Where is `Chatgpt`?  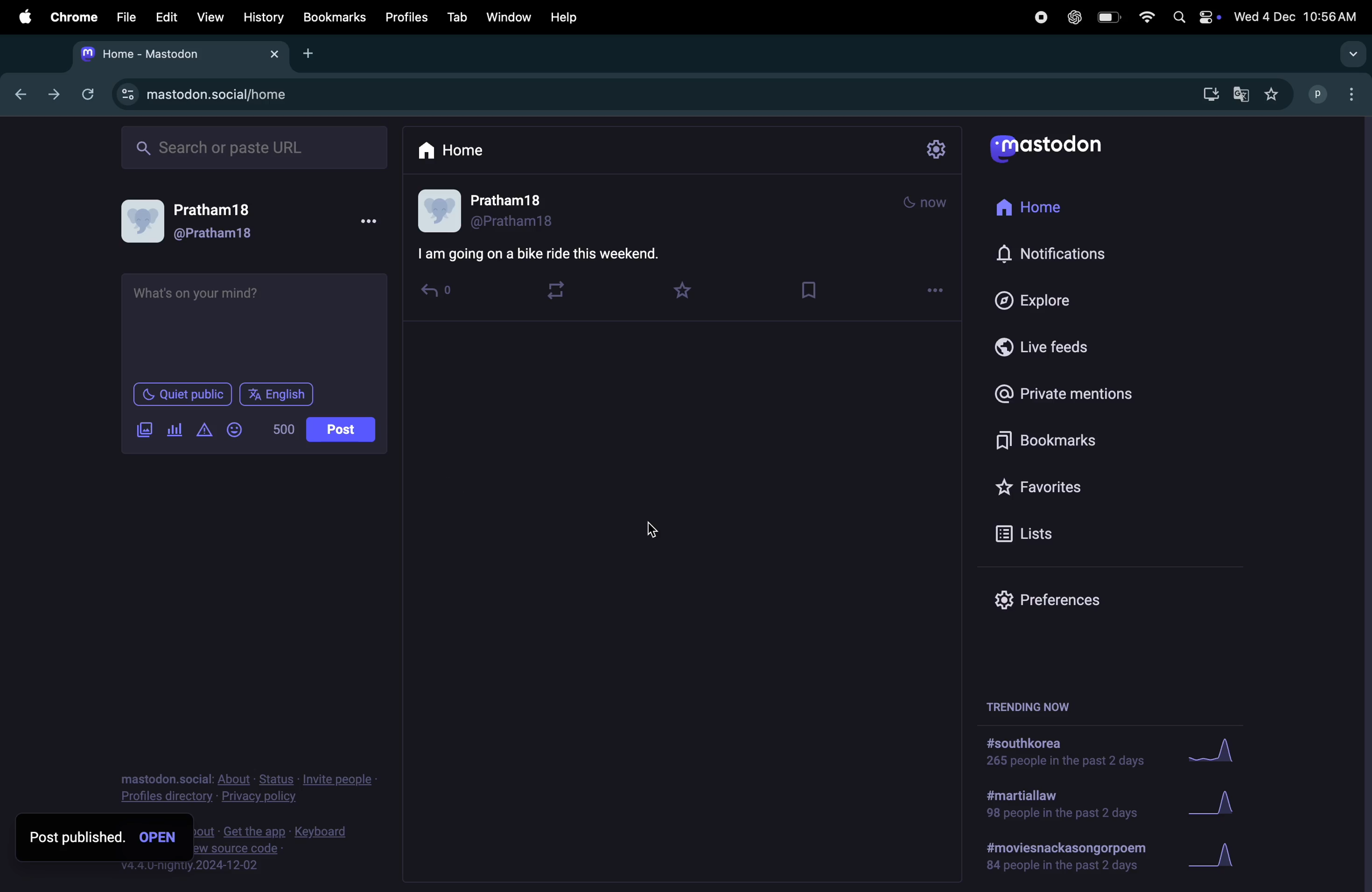
Chatgpt is located at coordinates (1072, 17).